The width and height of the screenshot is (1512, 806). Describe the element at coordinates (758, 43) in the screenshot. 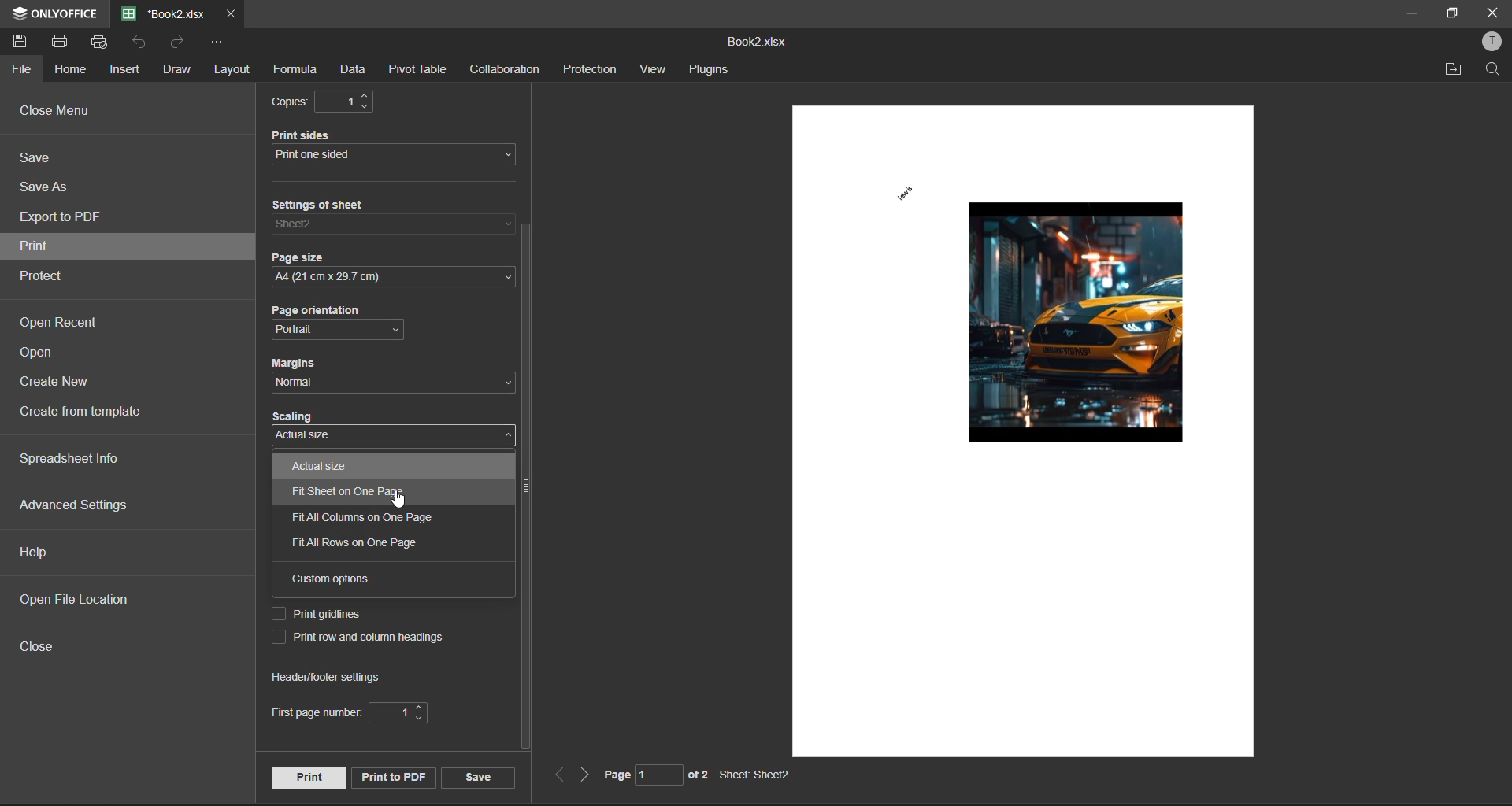

I see `file name` at that location.